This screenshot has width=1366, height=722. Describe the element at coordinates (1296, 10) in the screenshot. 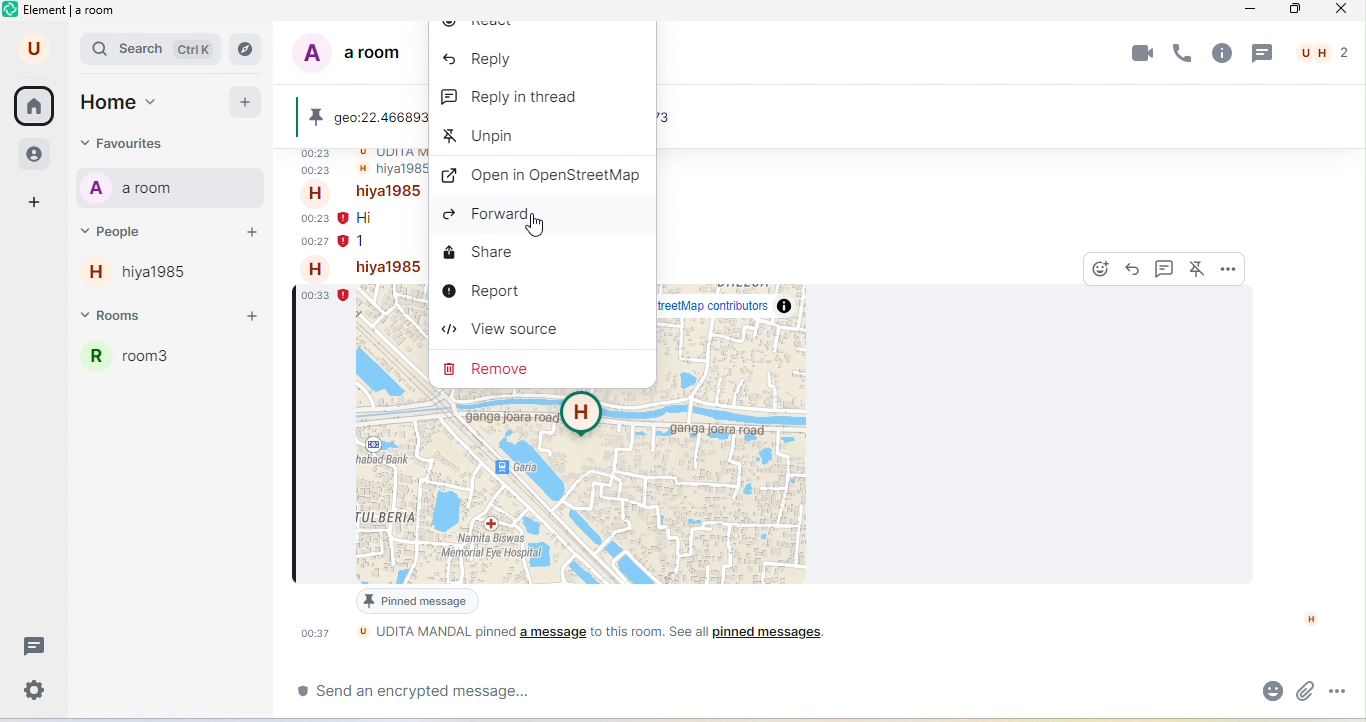

I see `maximize` at that location.